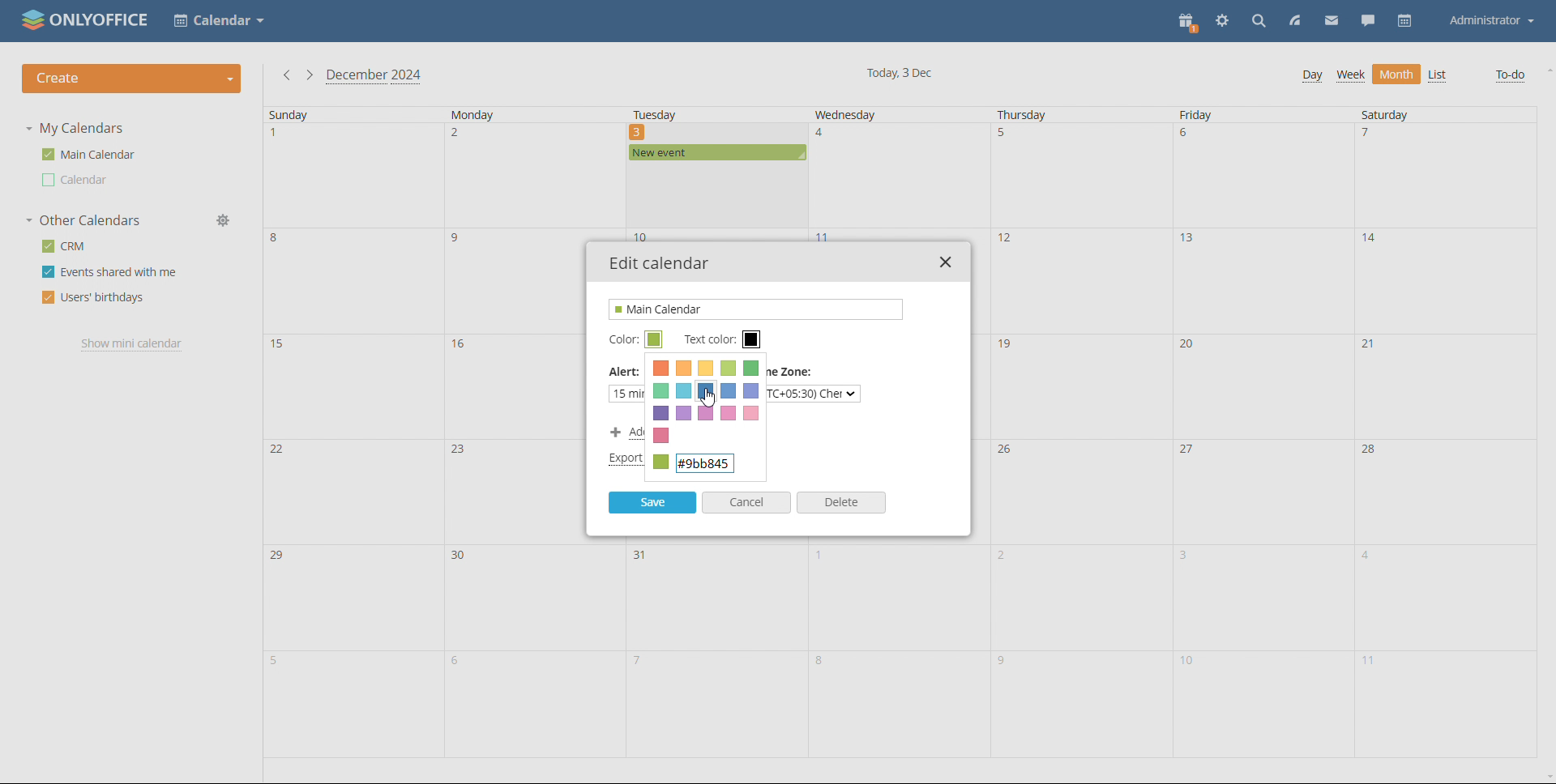 This screenshot has height=784, width=1556. What do you see at coordinates (134, 344) in the screenshot?
I see `show mini calendar` at bounding box center [134, 344].